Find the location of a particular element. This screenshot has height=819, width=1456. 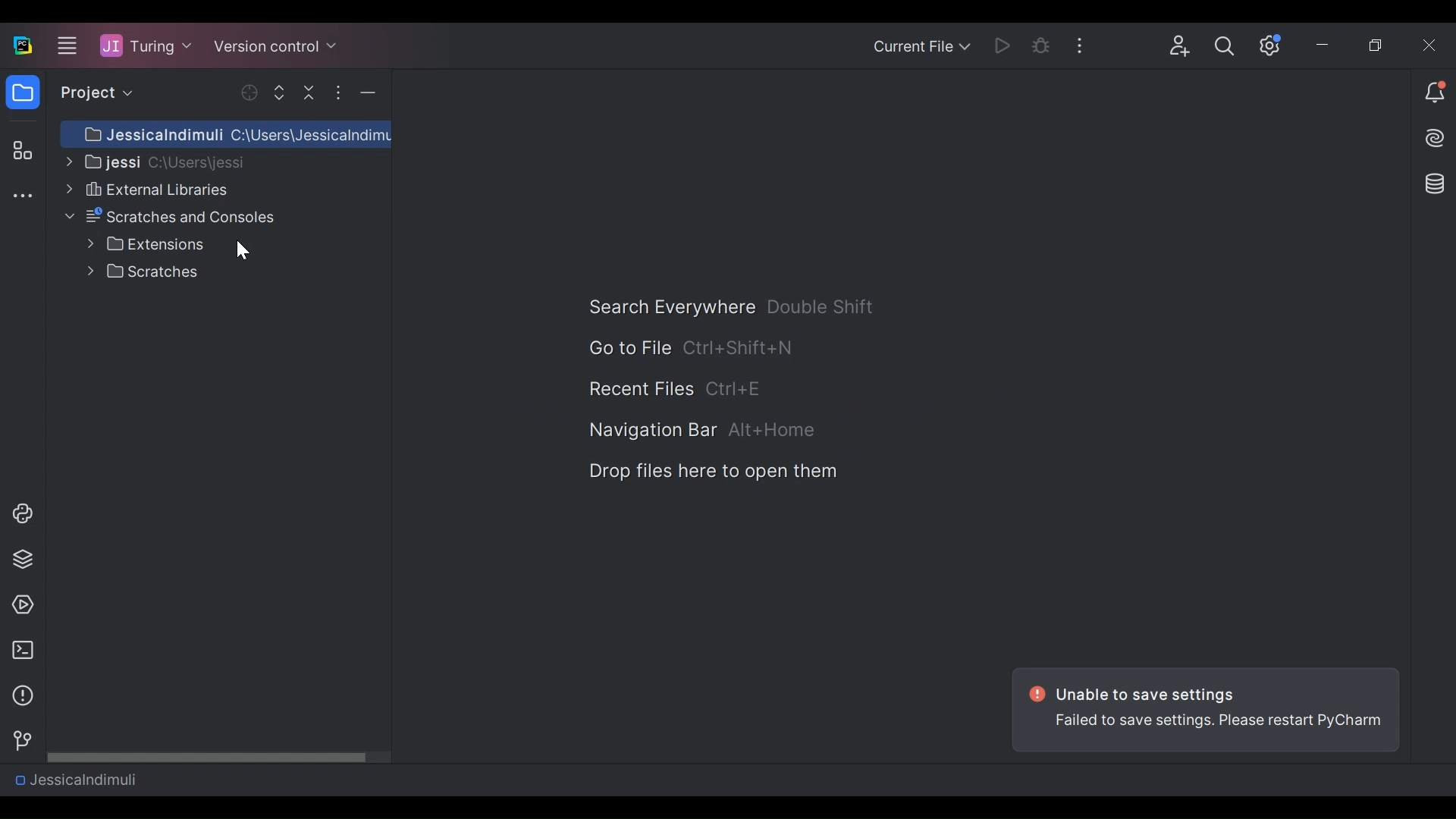

Notification is located at coordinates (1435, 94).